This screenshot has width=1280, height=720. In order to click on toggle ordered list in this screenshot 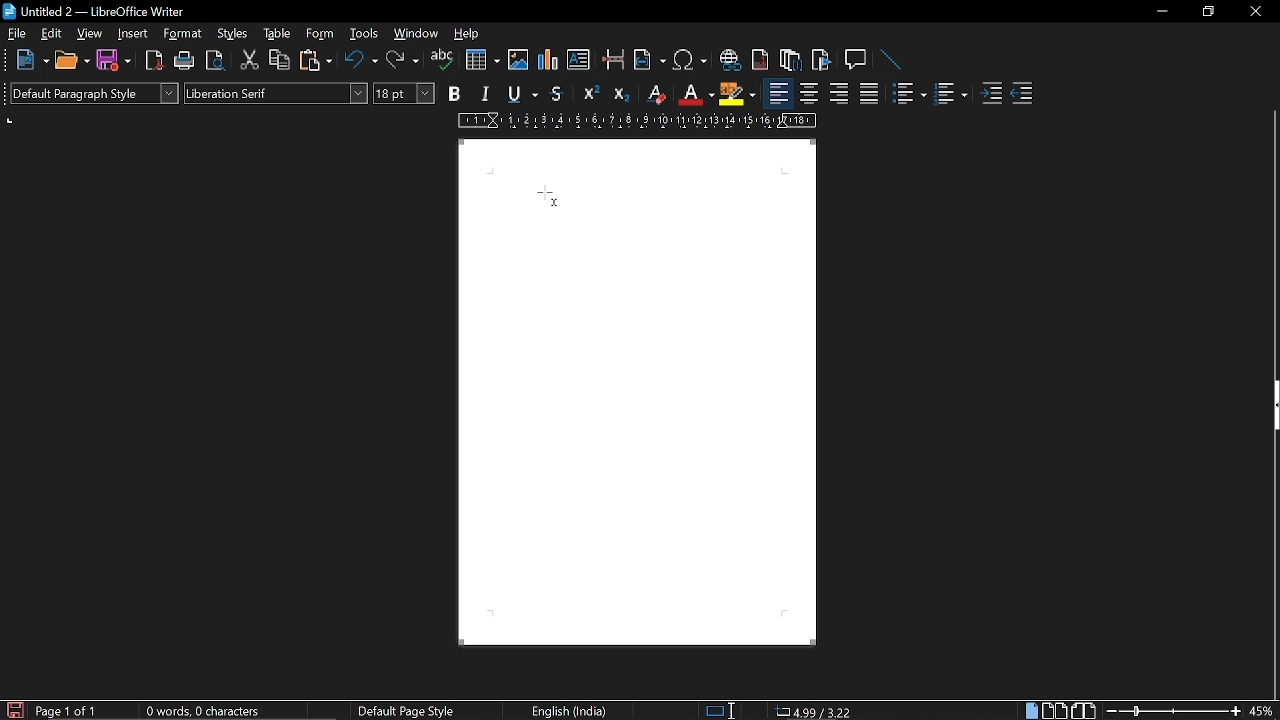, I will do `click(950, 95)`.